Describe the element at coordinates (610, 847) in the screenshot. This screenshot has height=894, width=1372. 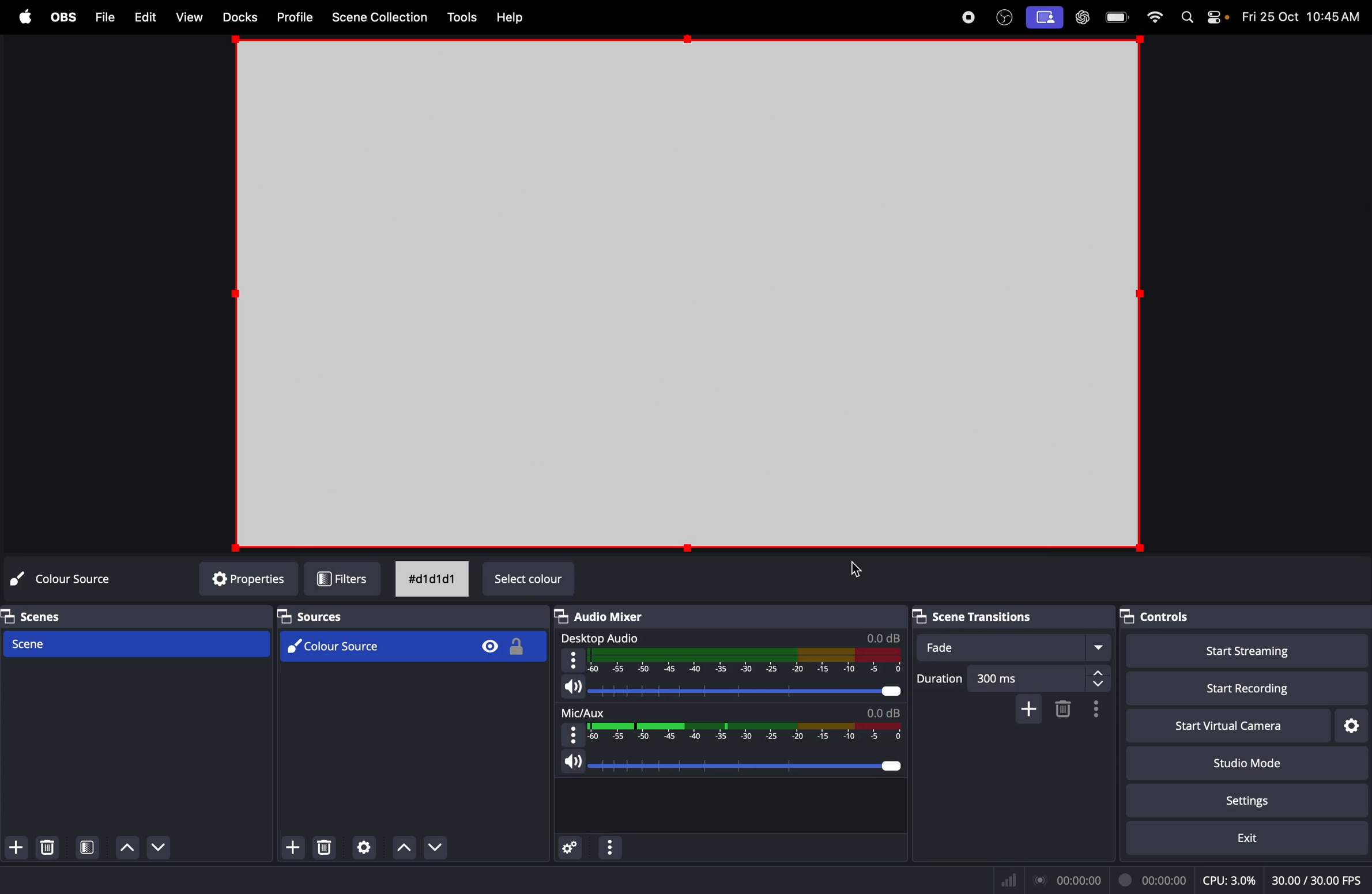
I see `options` at that location.